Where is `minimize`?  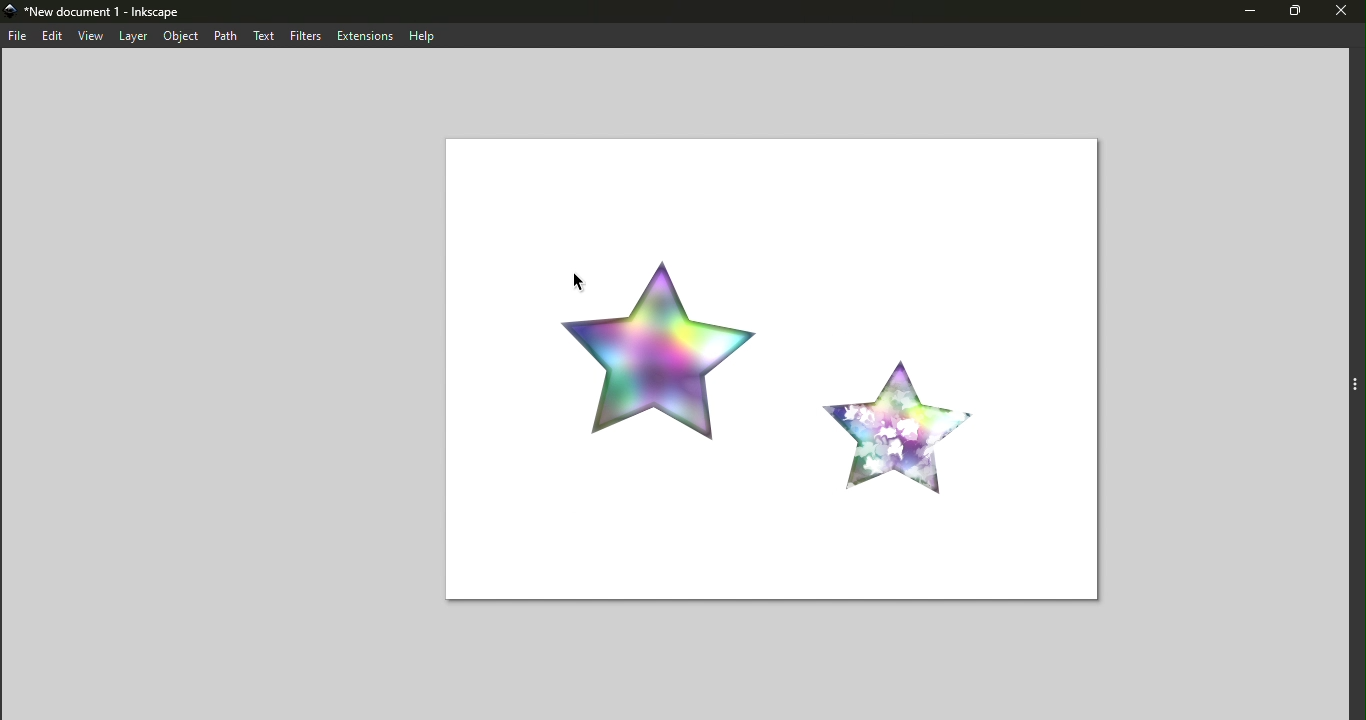 minimize is located at coordinates (1249, 12).